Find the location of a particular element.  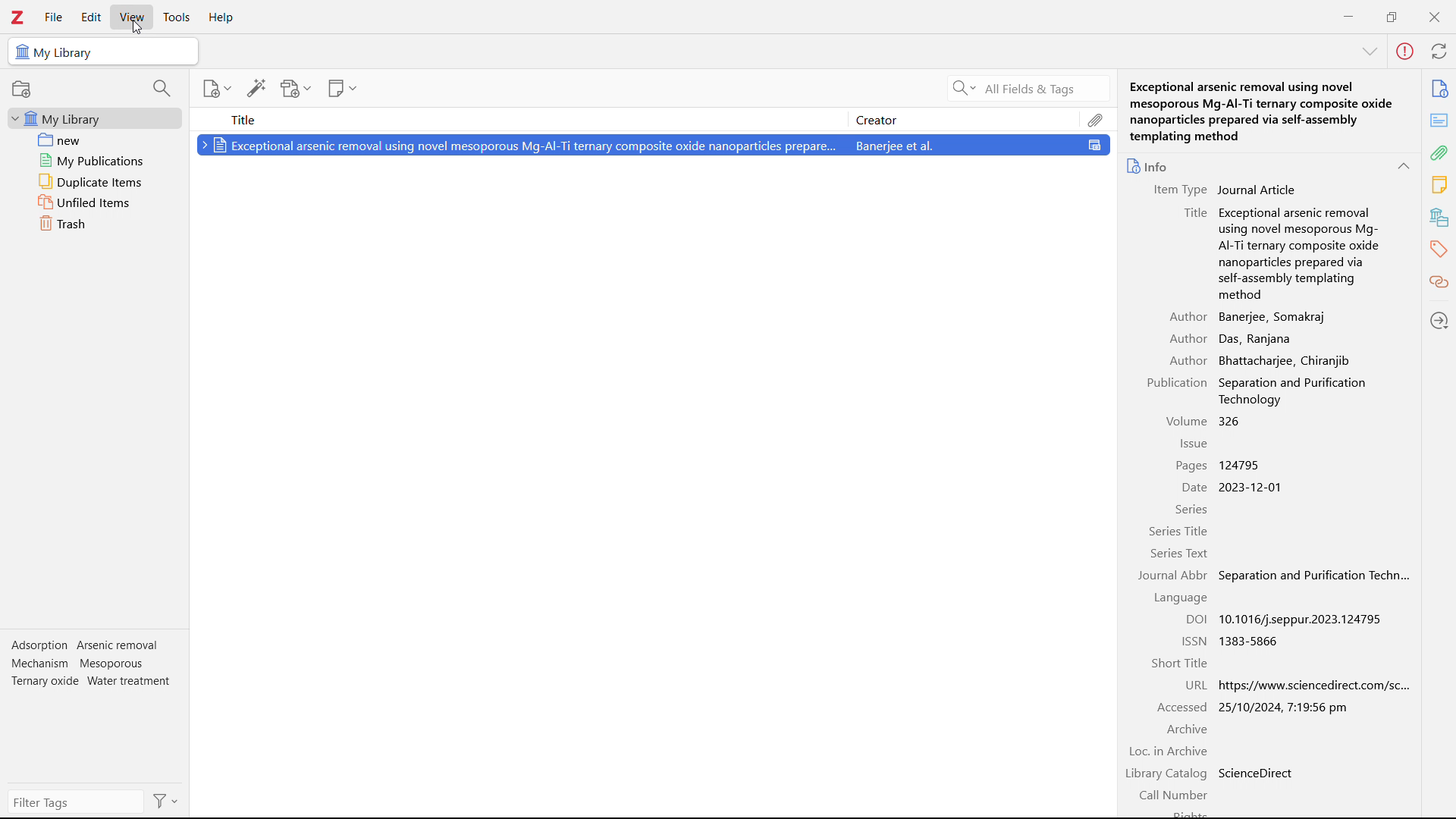

view is located at coordinates (132, 17).